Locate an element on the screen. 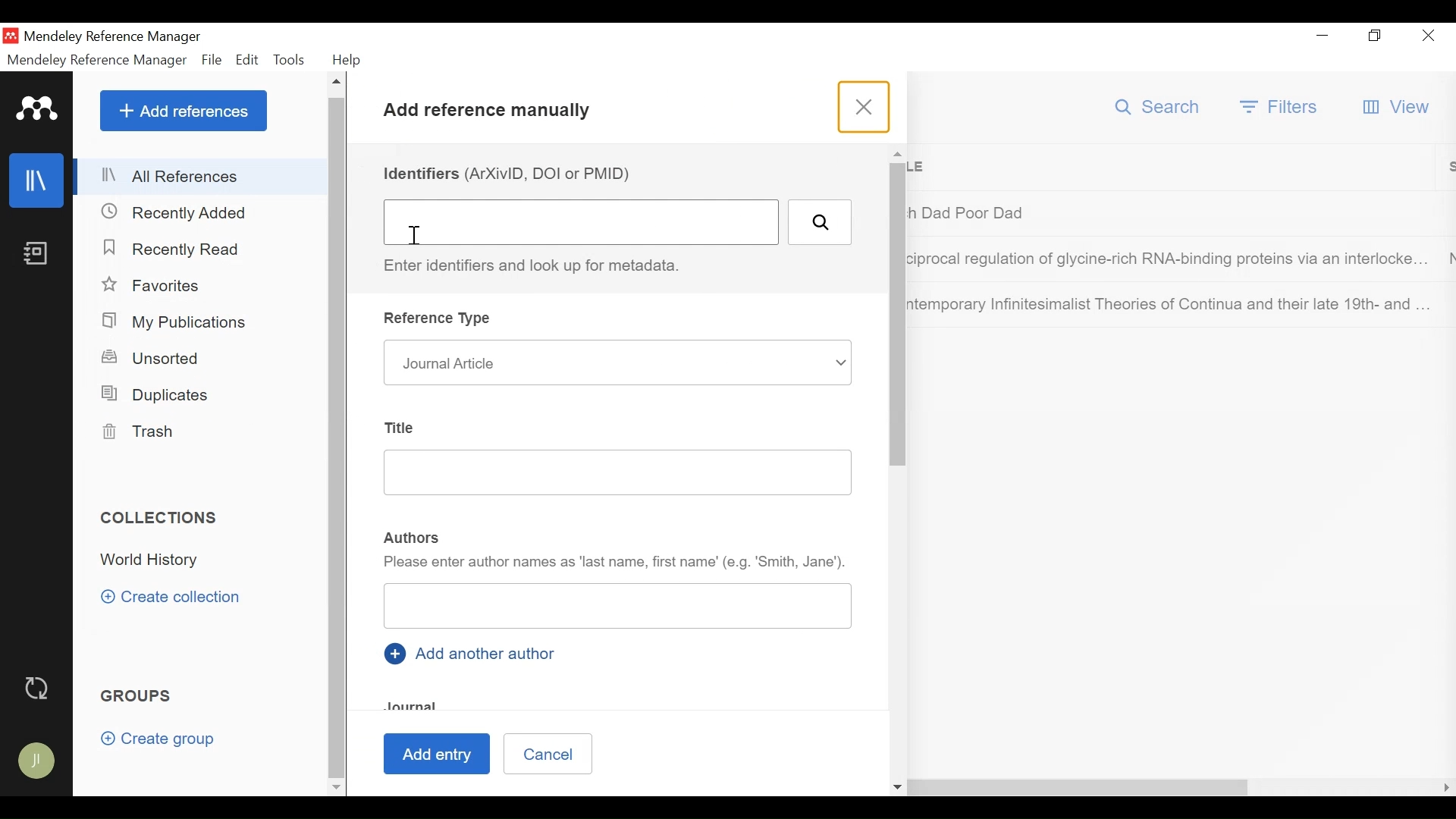 This screenshot has height=819, width=1456. Mendeley Reference Manager is located at coordinates (115, 36).